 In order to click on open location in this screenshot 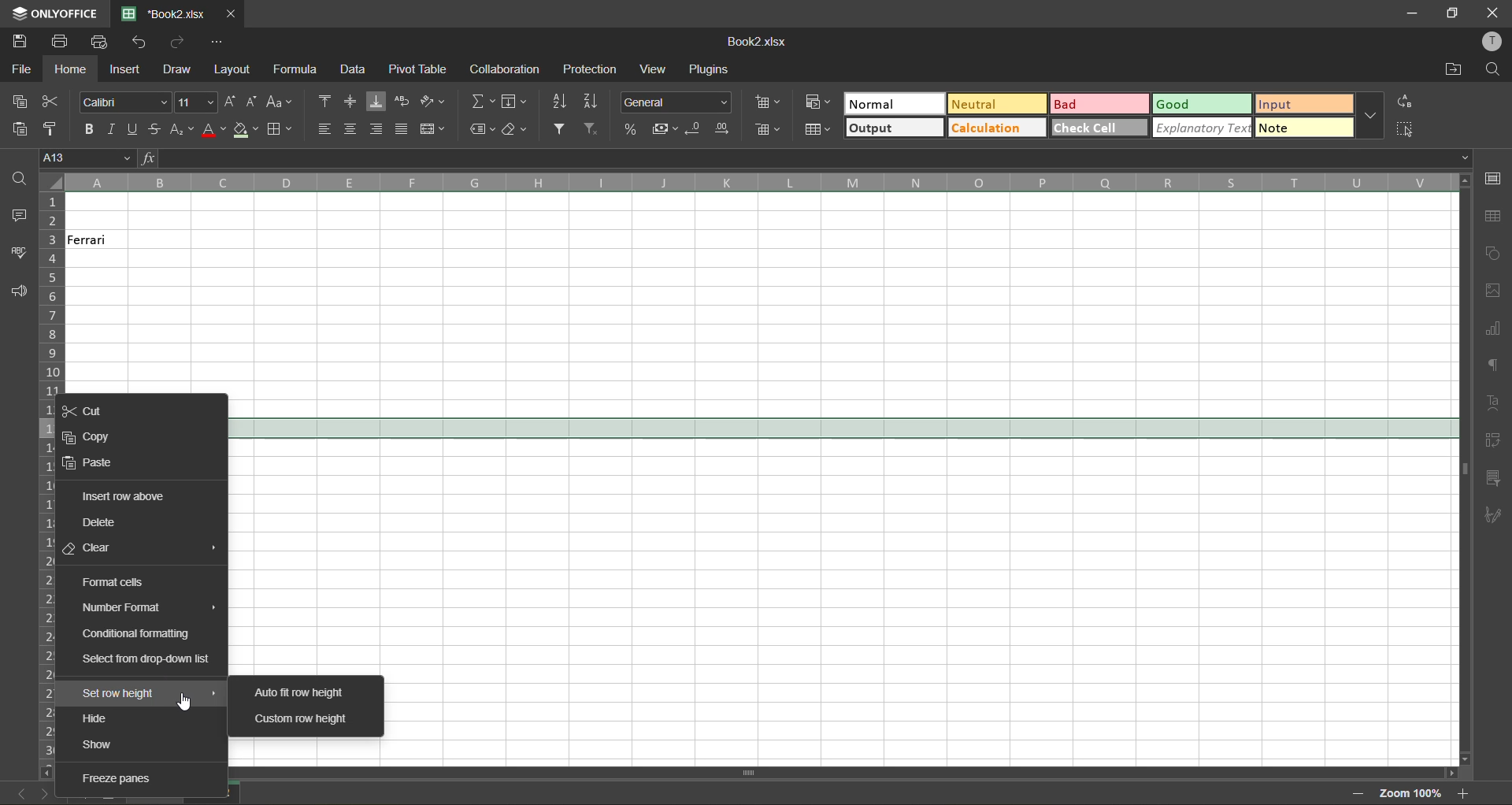, I will do `click(1453, 72)`.